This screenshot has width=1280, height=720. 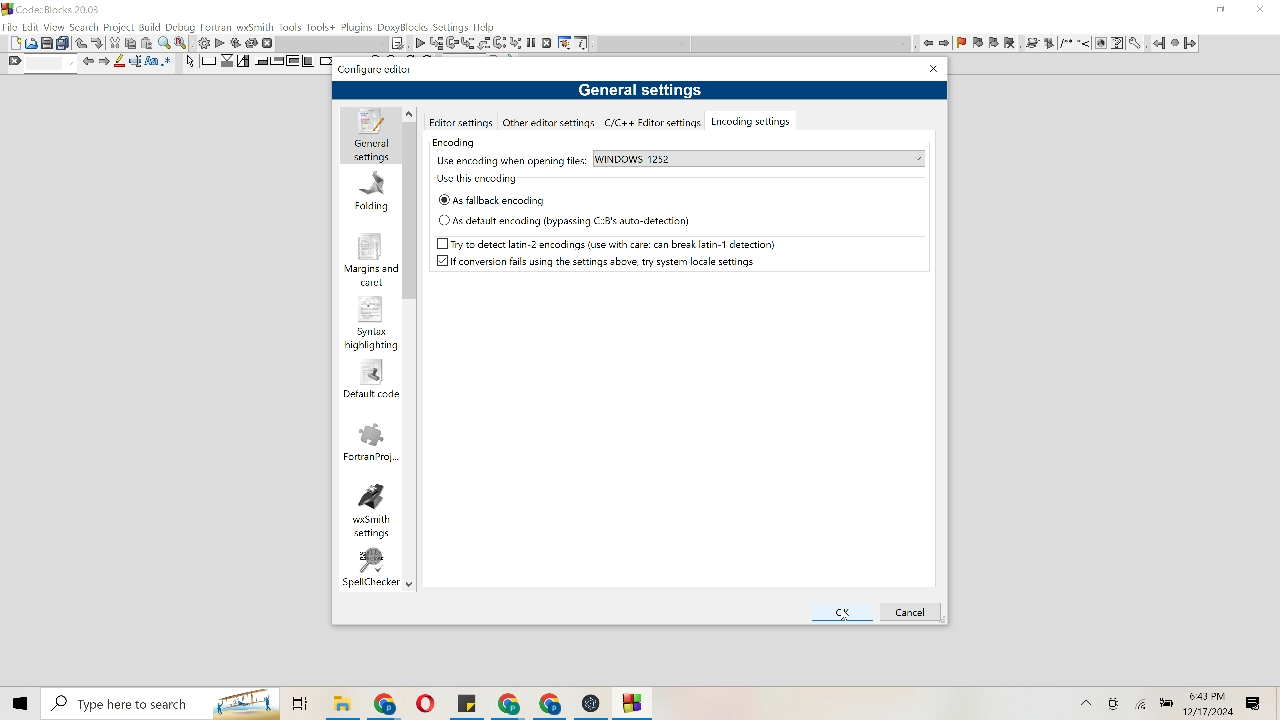 What do you see at coordinates (291, 28) in the screenshot?
I see `Tools` at bounding box center [291, 28].